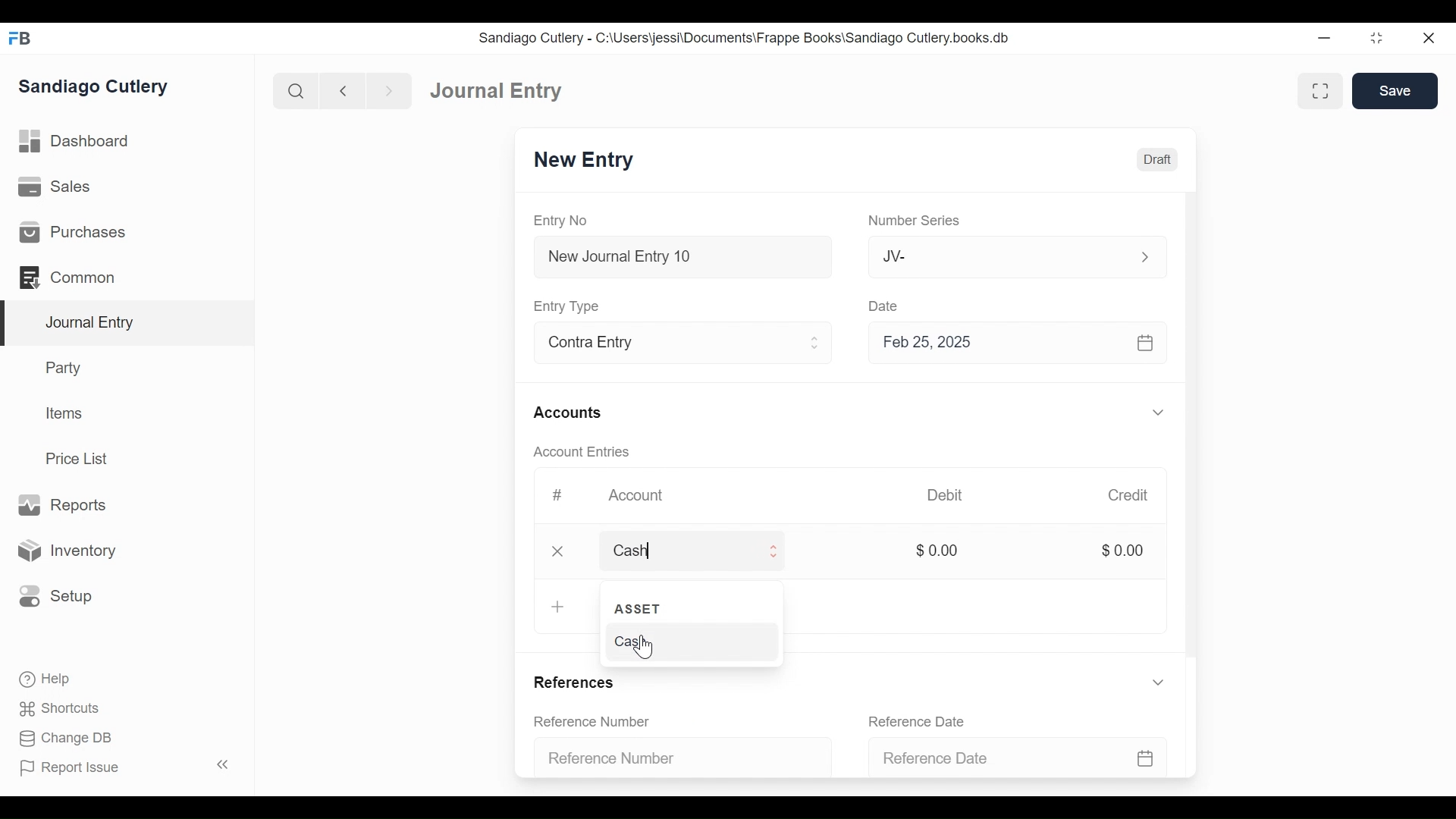 This screenshot has width=1456, height=819. Describe the element at coordinates (886, 306) in the screenshot. I see `Date` at that location.